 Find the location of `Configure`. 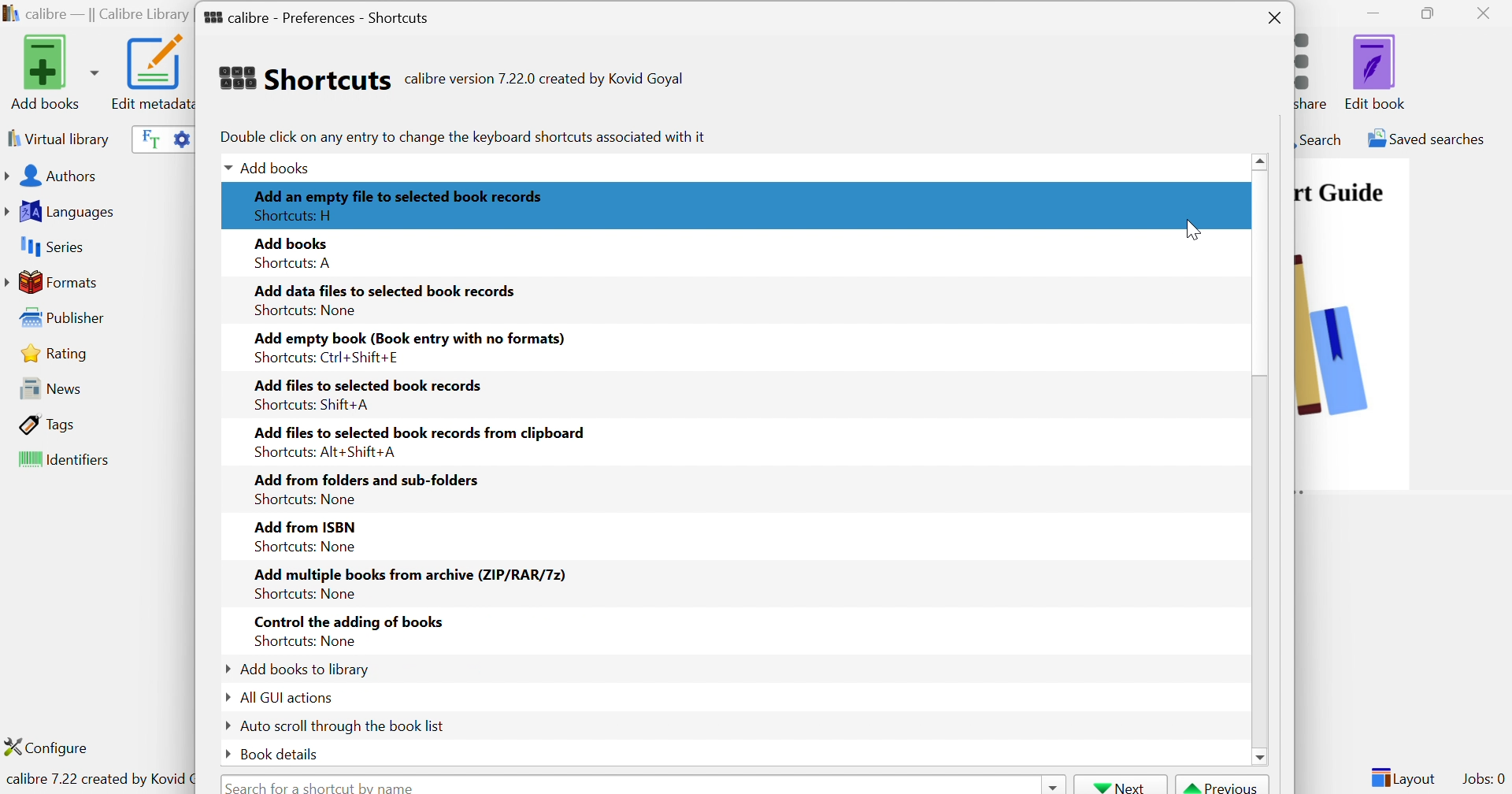

Configure is located at coordinates (53, 747).